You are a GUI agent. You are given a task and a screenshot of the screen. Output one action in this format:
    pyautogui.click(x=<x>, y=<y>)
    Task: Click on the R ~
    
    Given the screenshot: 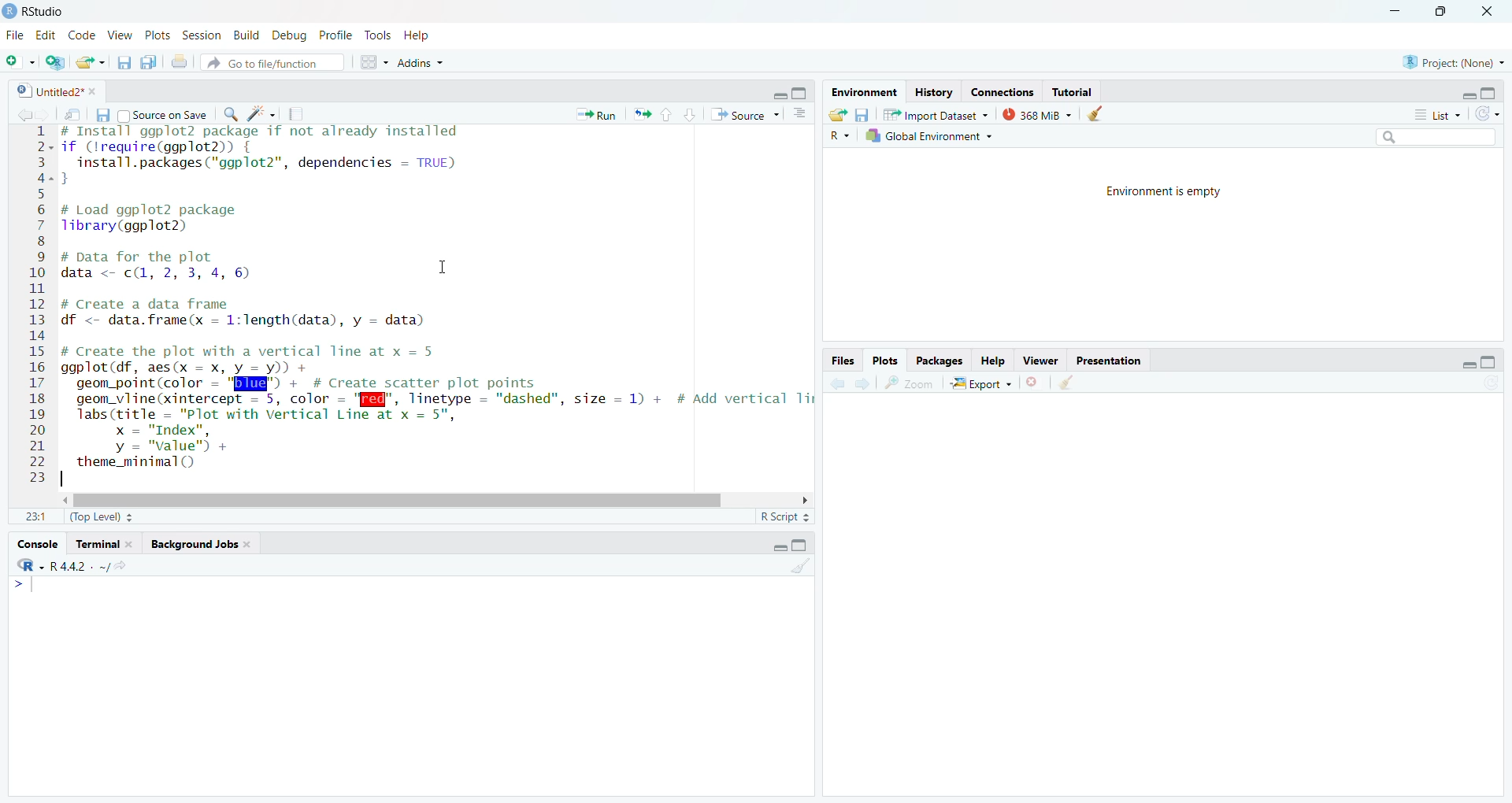 What is the action you would take?
    pyautogui.click(x=840, y=136)
    